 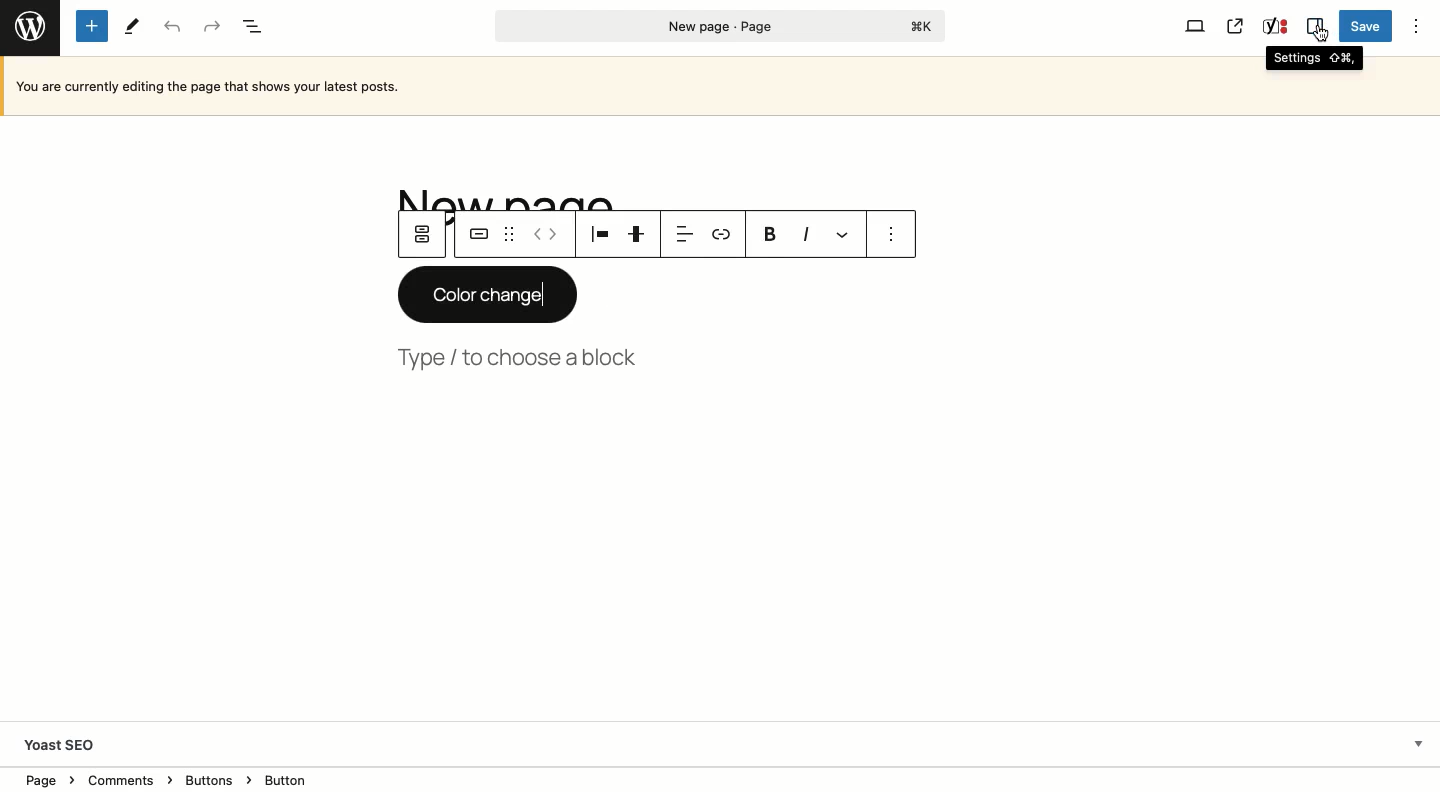 What do you see at coordinates (892, 235) in the screenshot?
I see `Options` at bounding box center [892, 235].